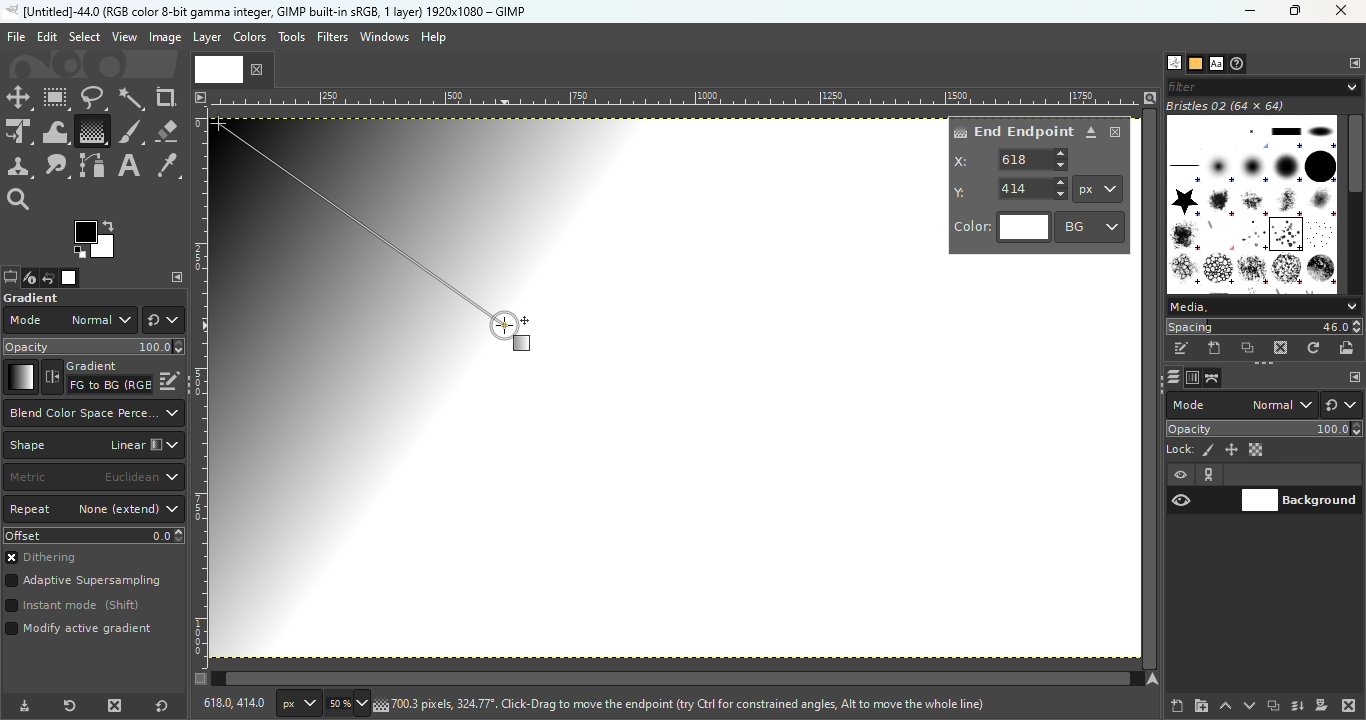  Describe the element at coordinates (166, 705) in the screenshot. I see `Reset to default values` at that location.